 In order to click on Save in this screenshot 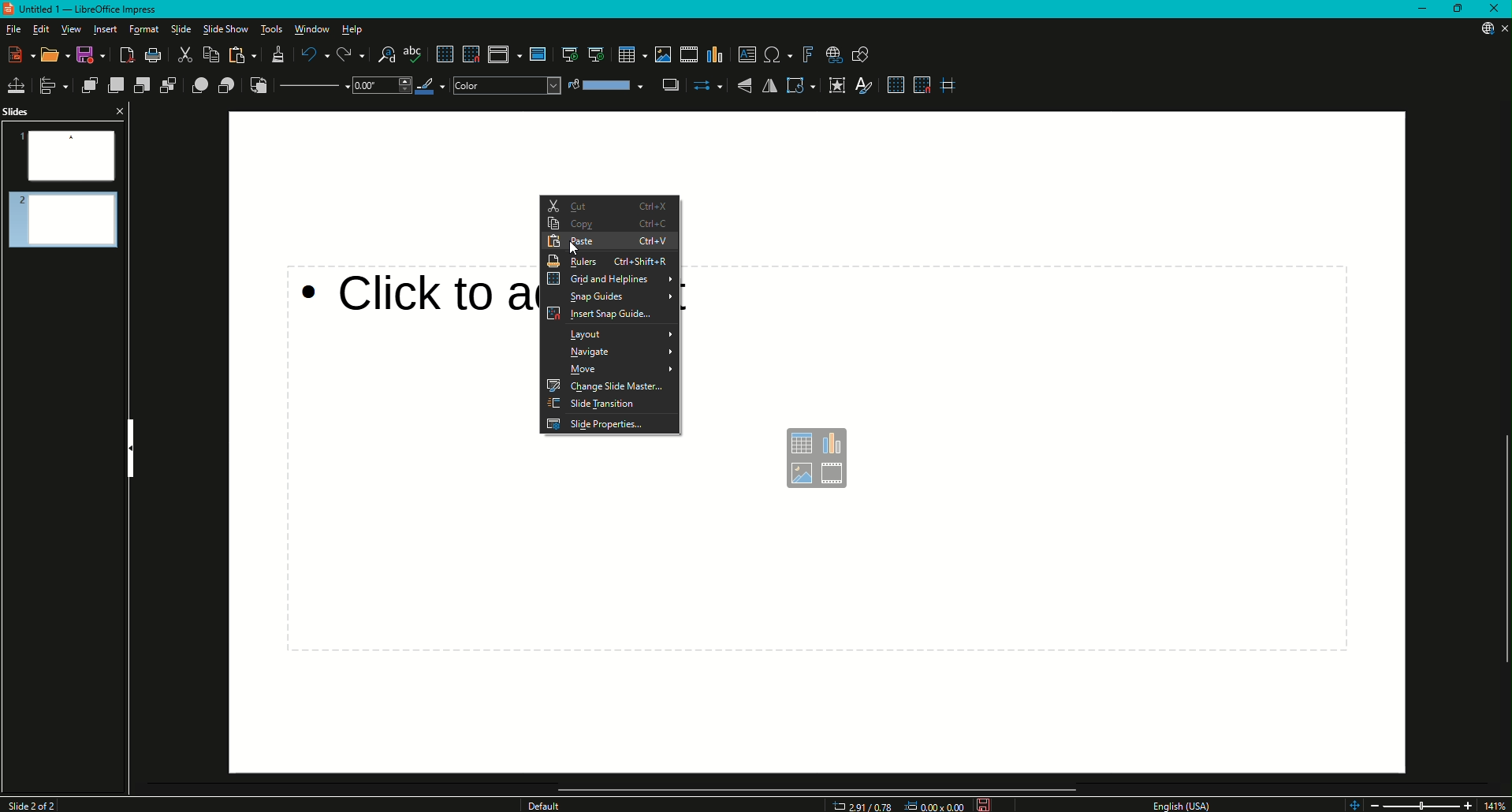, I will do `click(87, 54)`.